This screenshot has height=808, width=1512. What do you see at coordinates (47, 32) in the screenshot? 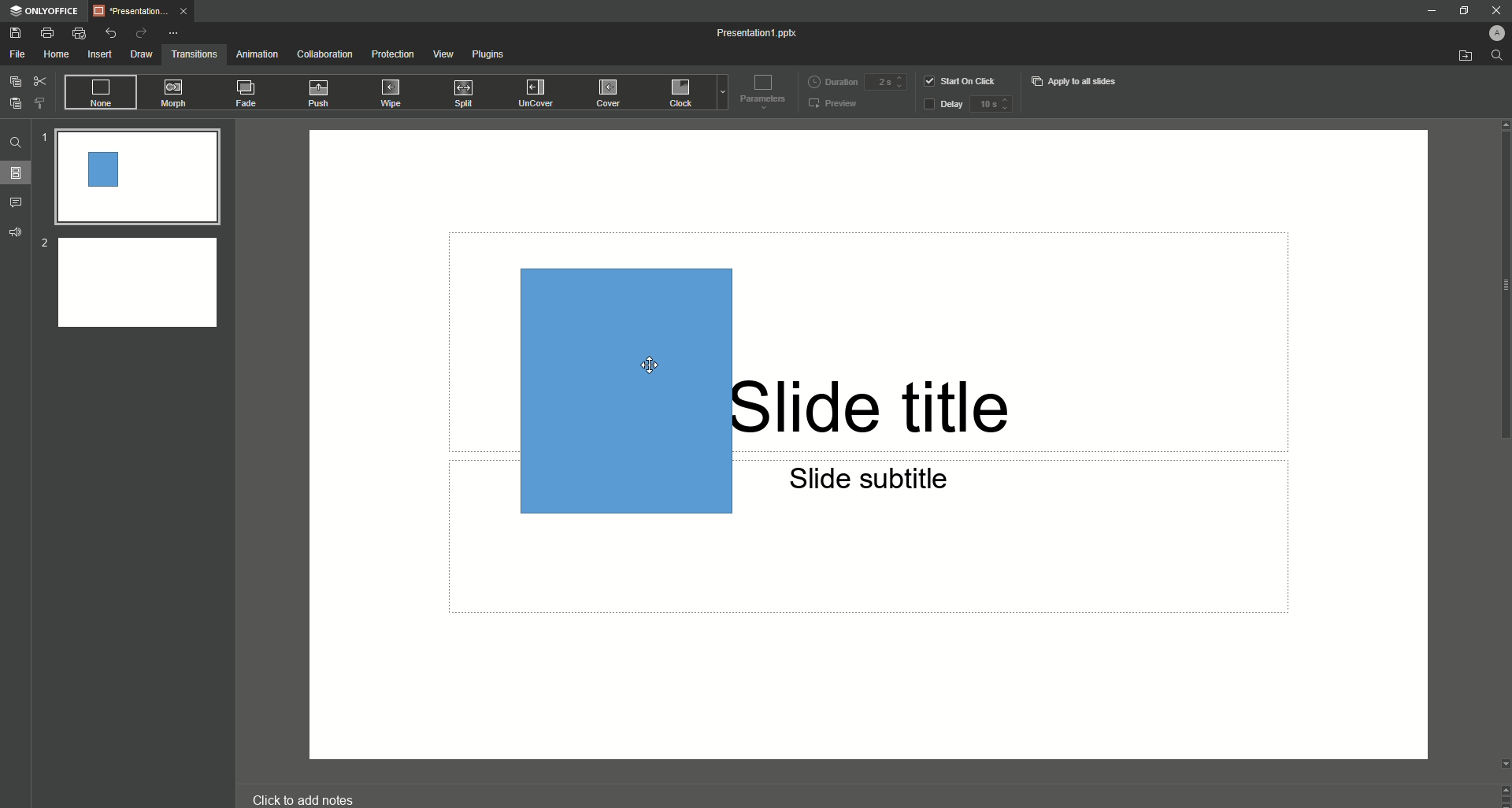
I see `Print` at bounding box center [47, 32].